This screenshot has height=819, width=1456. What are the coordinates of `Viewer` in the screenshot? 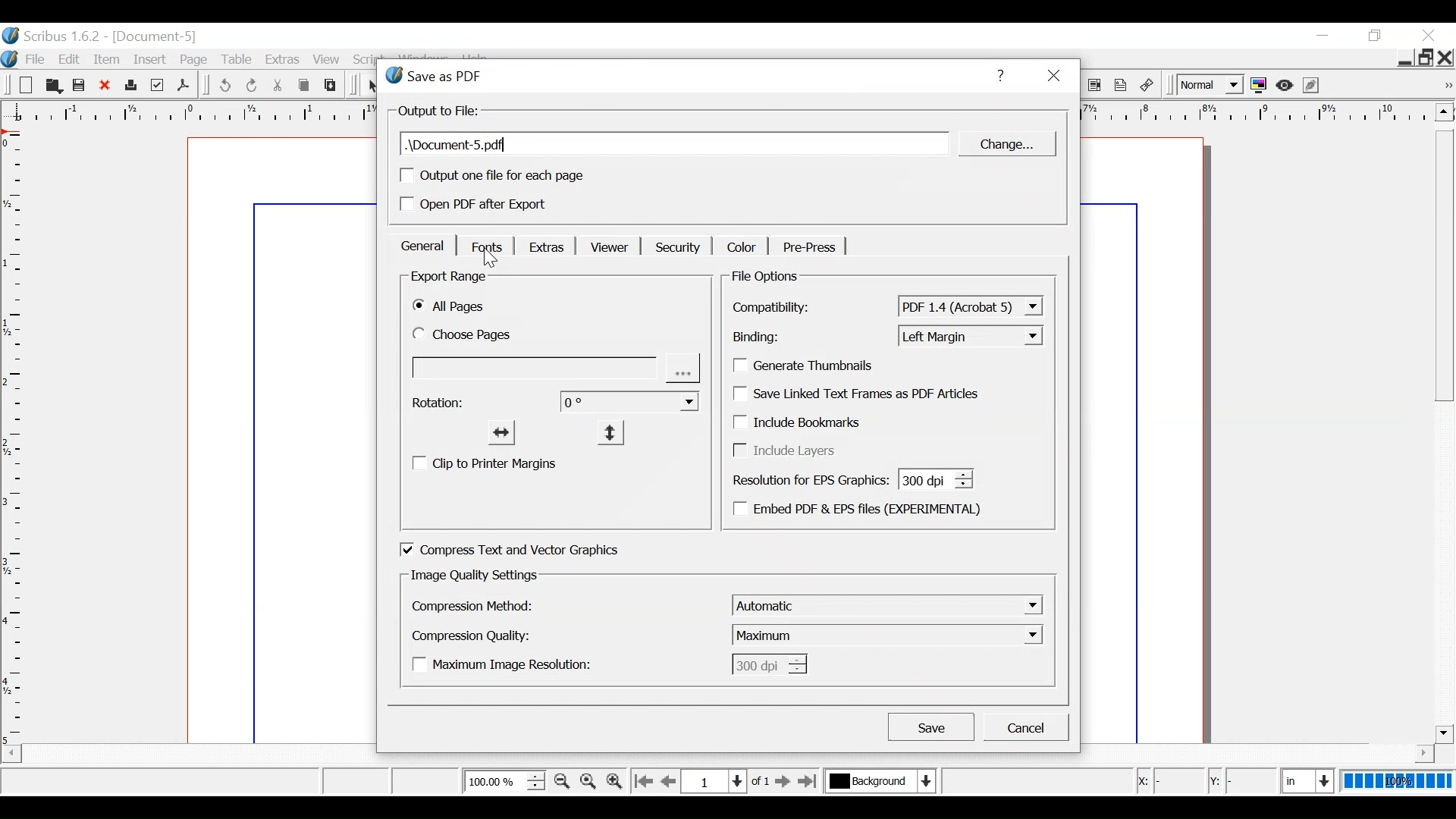 It's located at (606, 247).